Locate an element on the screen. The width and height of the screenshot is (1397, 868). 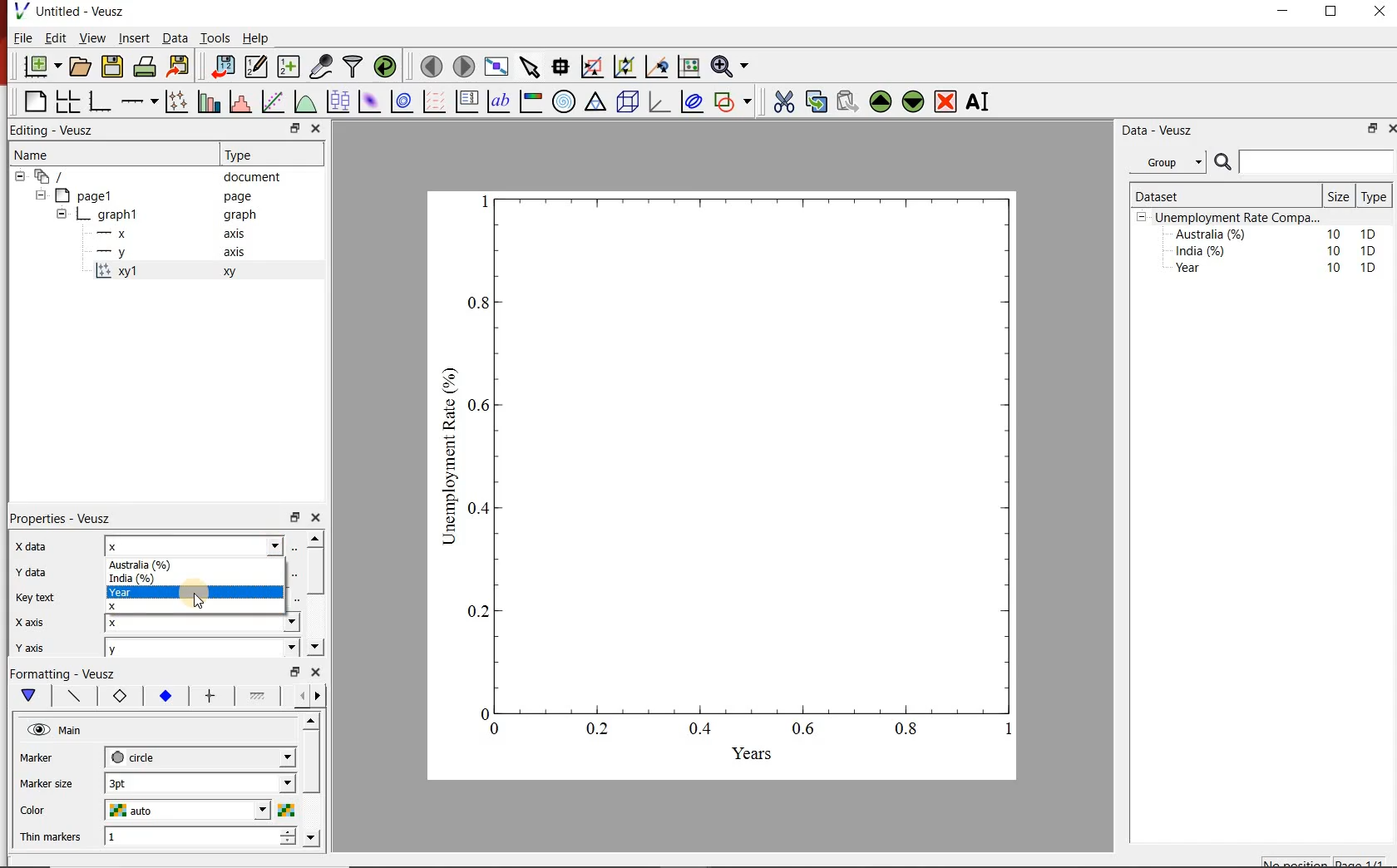
move the widgets up is located at coordinates (881, 101).